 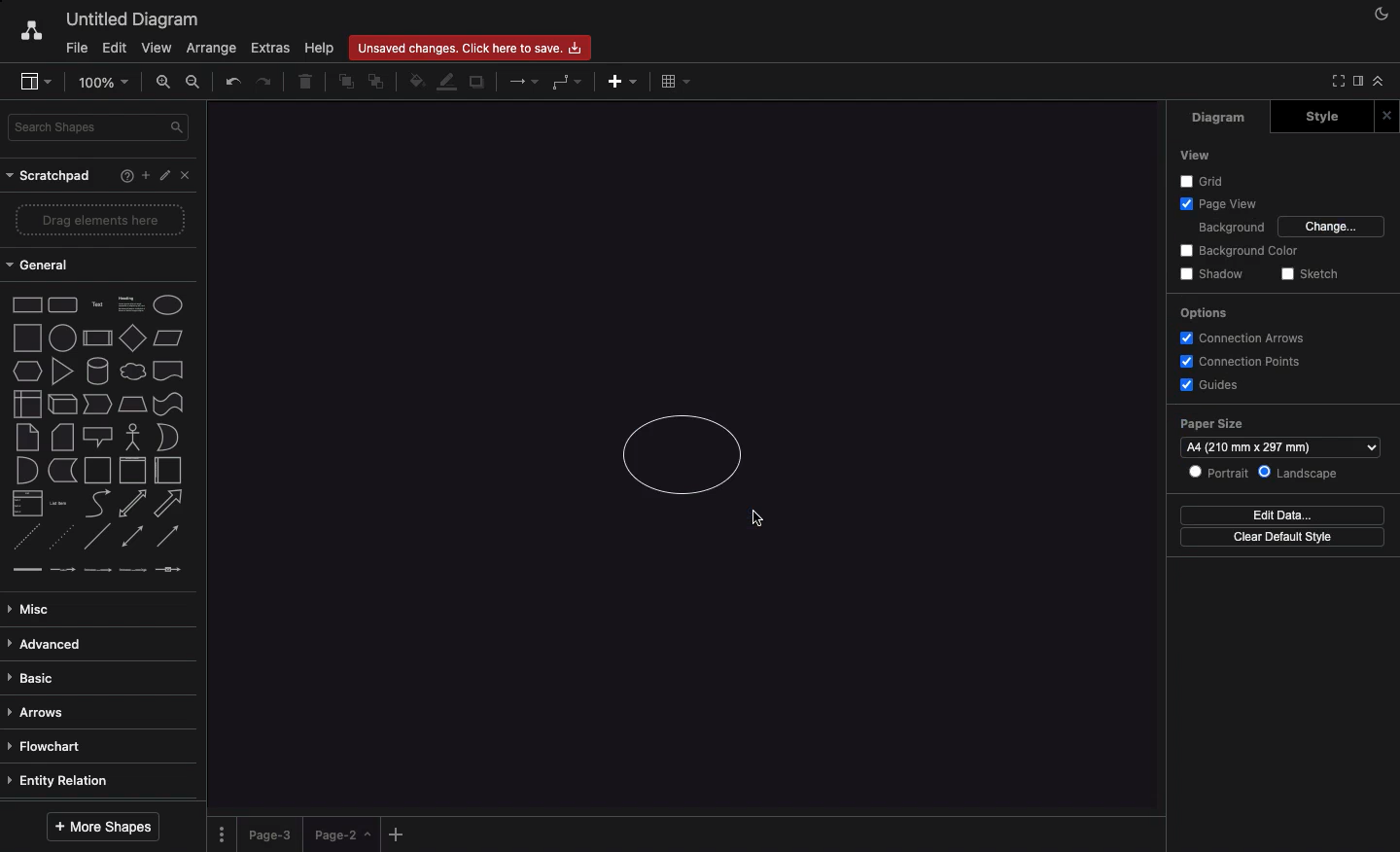 I want to click on tape, so click(x=168, y=404).